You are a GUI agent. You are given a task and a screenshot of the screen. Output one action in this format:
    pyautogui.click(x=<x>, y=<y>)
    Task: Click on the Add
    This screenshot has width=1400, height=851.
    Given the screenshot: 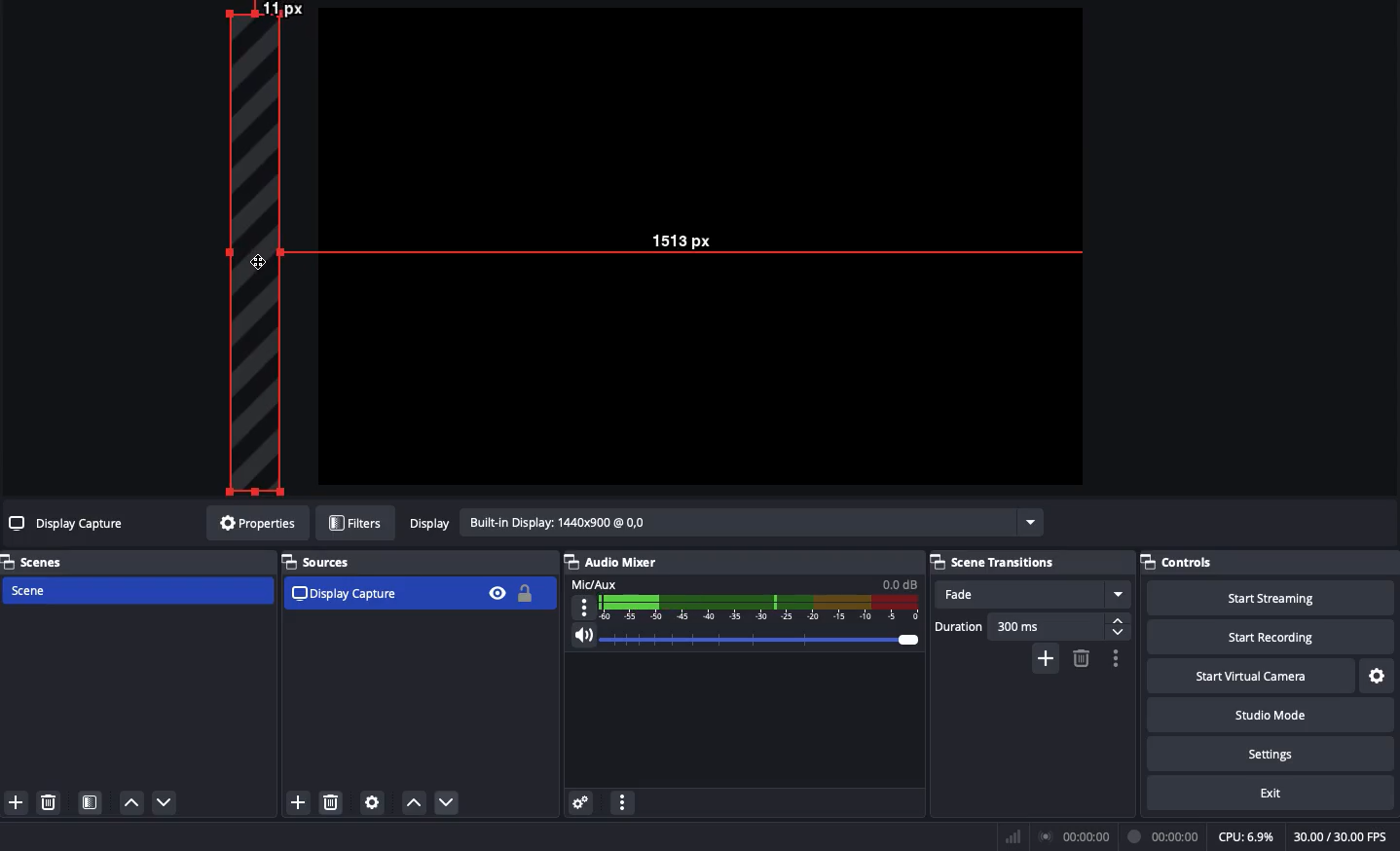 What is the action you would take?
    pyautogui.click(x=1048, y=657)
    